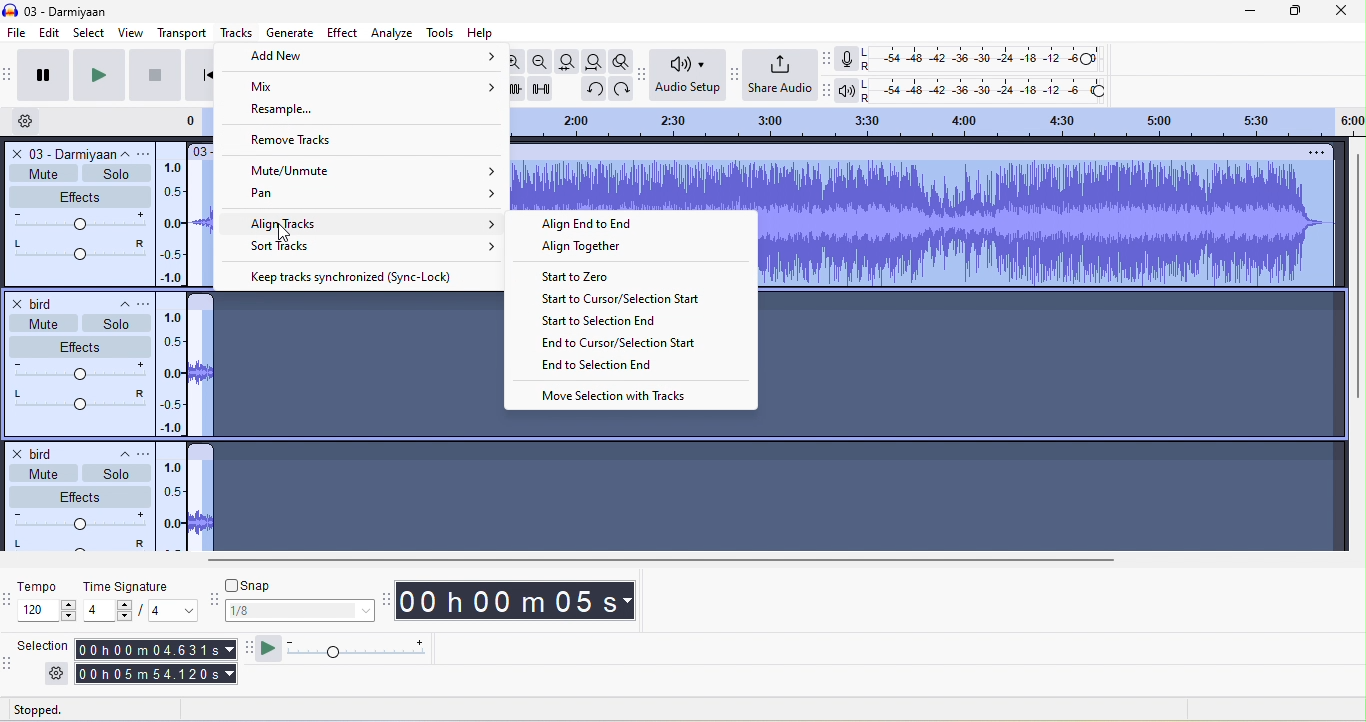 Image resolution: width=1366 pixels, height=722 pixels. Describe the element at coordinates (43, 75) in the screenshot. I see `pause` at that location.